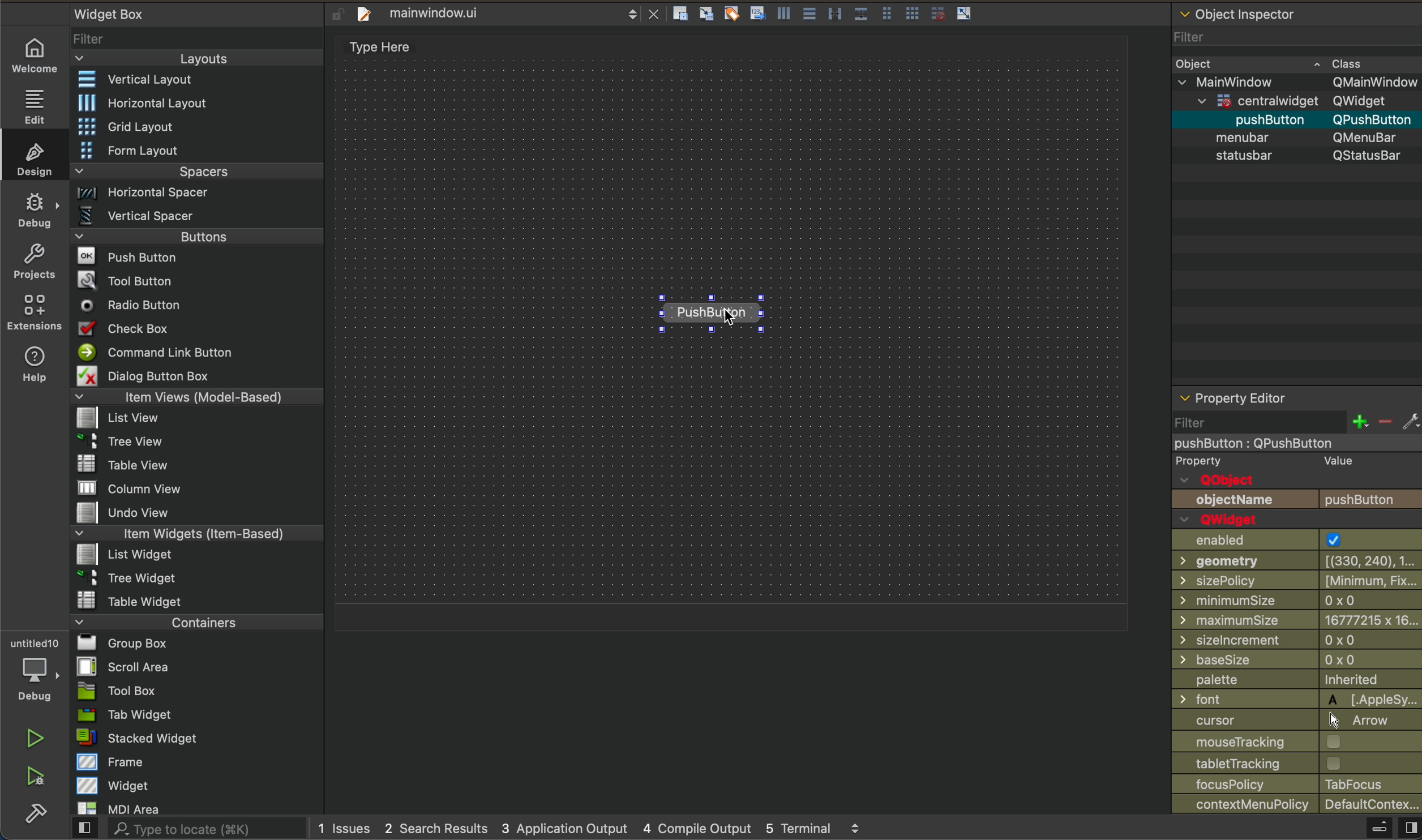 The height and width of the screenshot is (840, 1422). I want to click on size, so click(1297, 640).